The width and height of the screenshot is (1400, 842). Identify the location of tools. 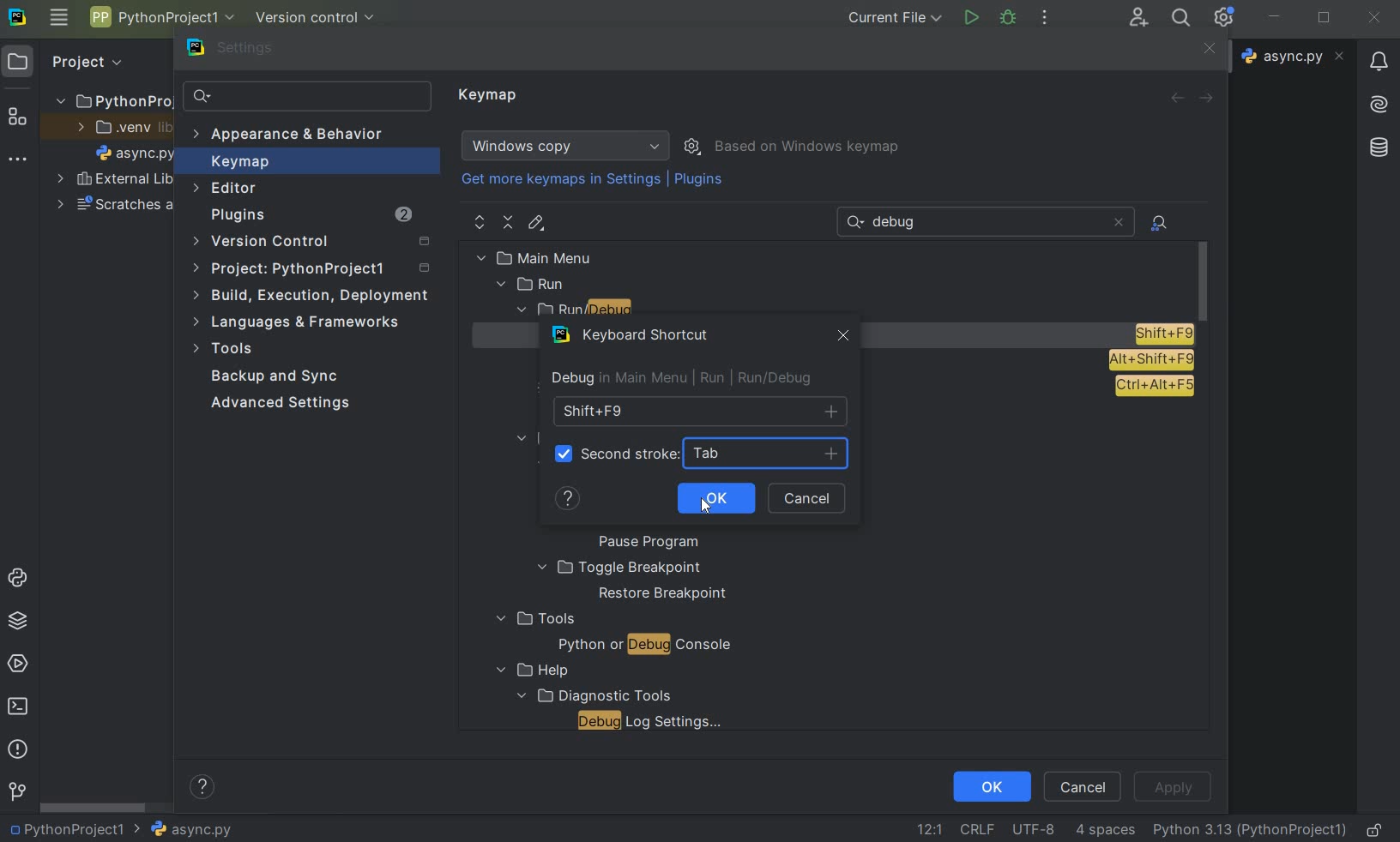
(534, 619).